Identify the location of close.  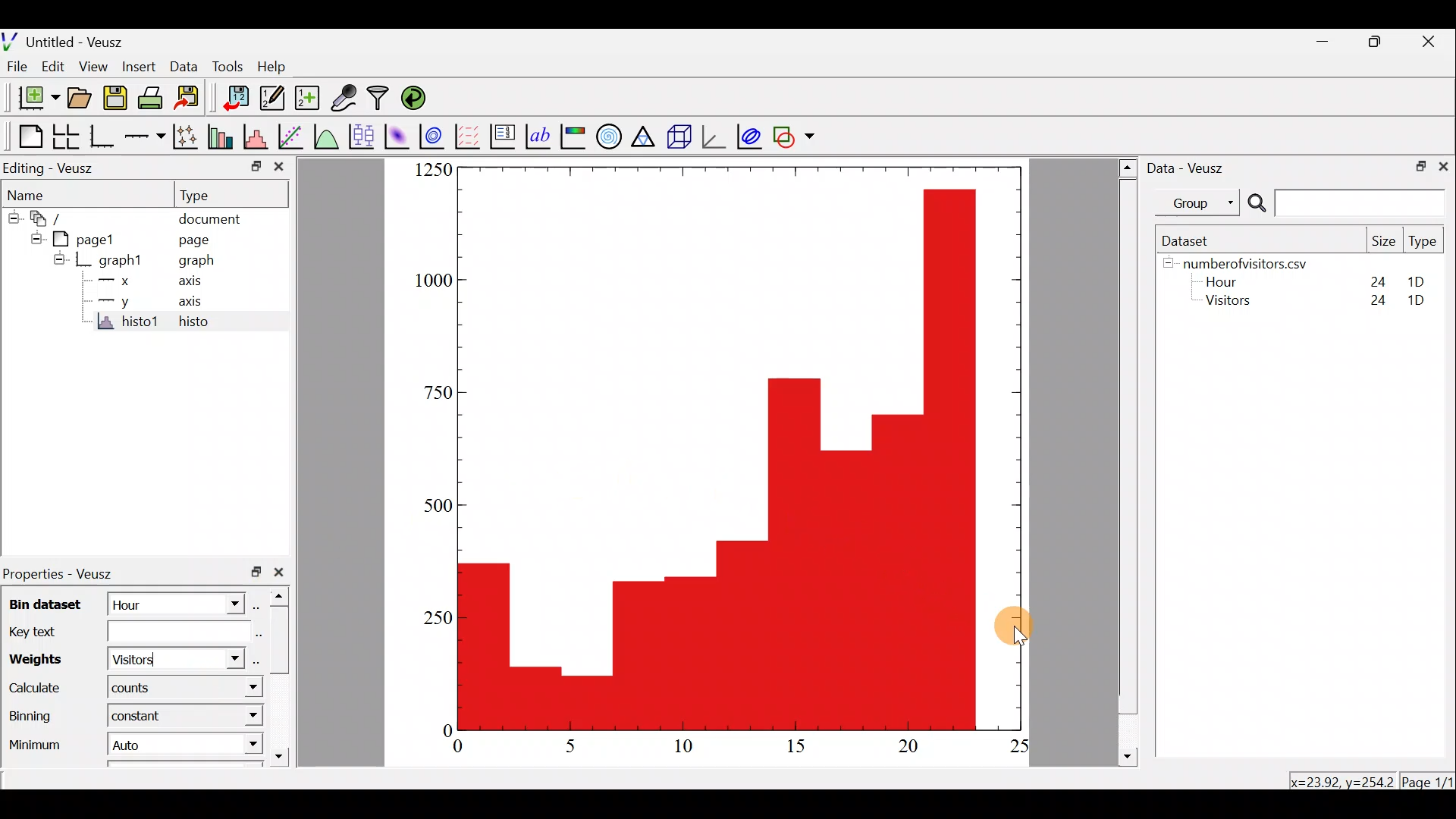
(279, 168).